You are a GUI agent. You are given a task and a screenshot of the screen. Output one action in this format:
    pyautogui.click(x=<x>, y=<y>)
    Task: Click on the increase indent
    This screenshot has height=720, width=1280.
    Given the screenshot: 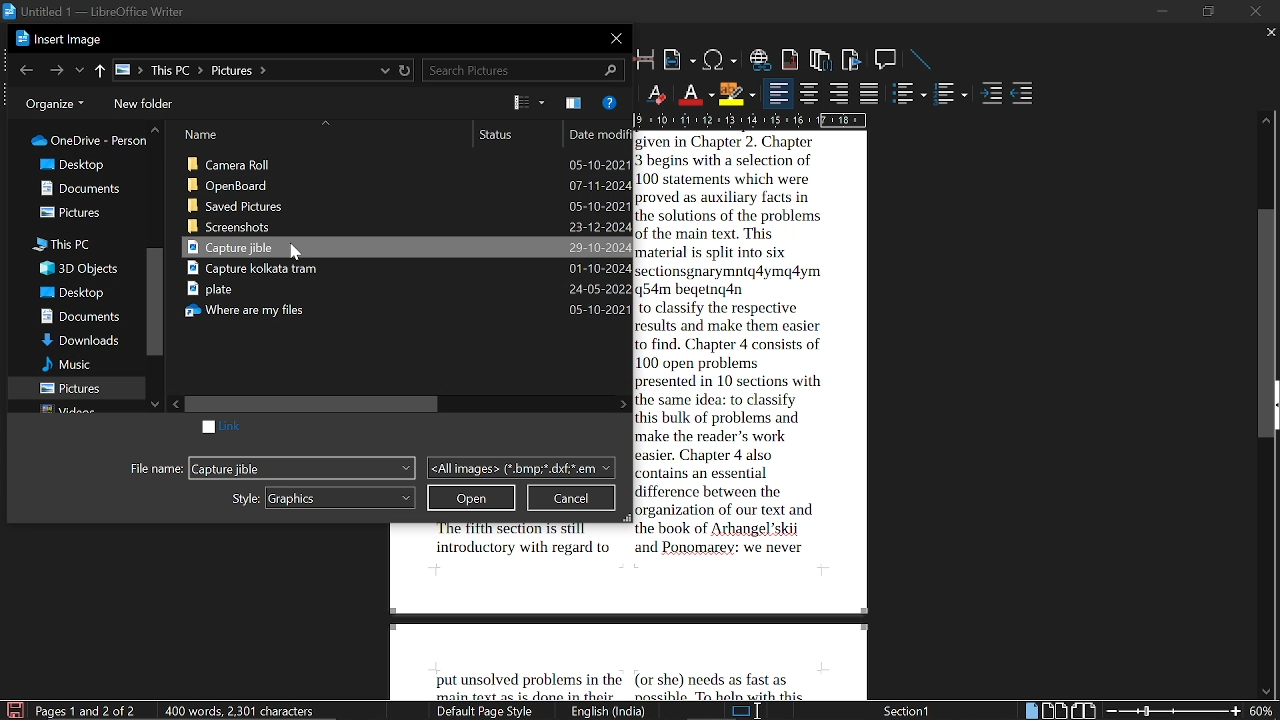 What is the action you would take?
    pyautogui.click(x=993, y=93)
    